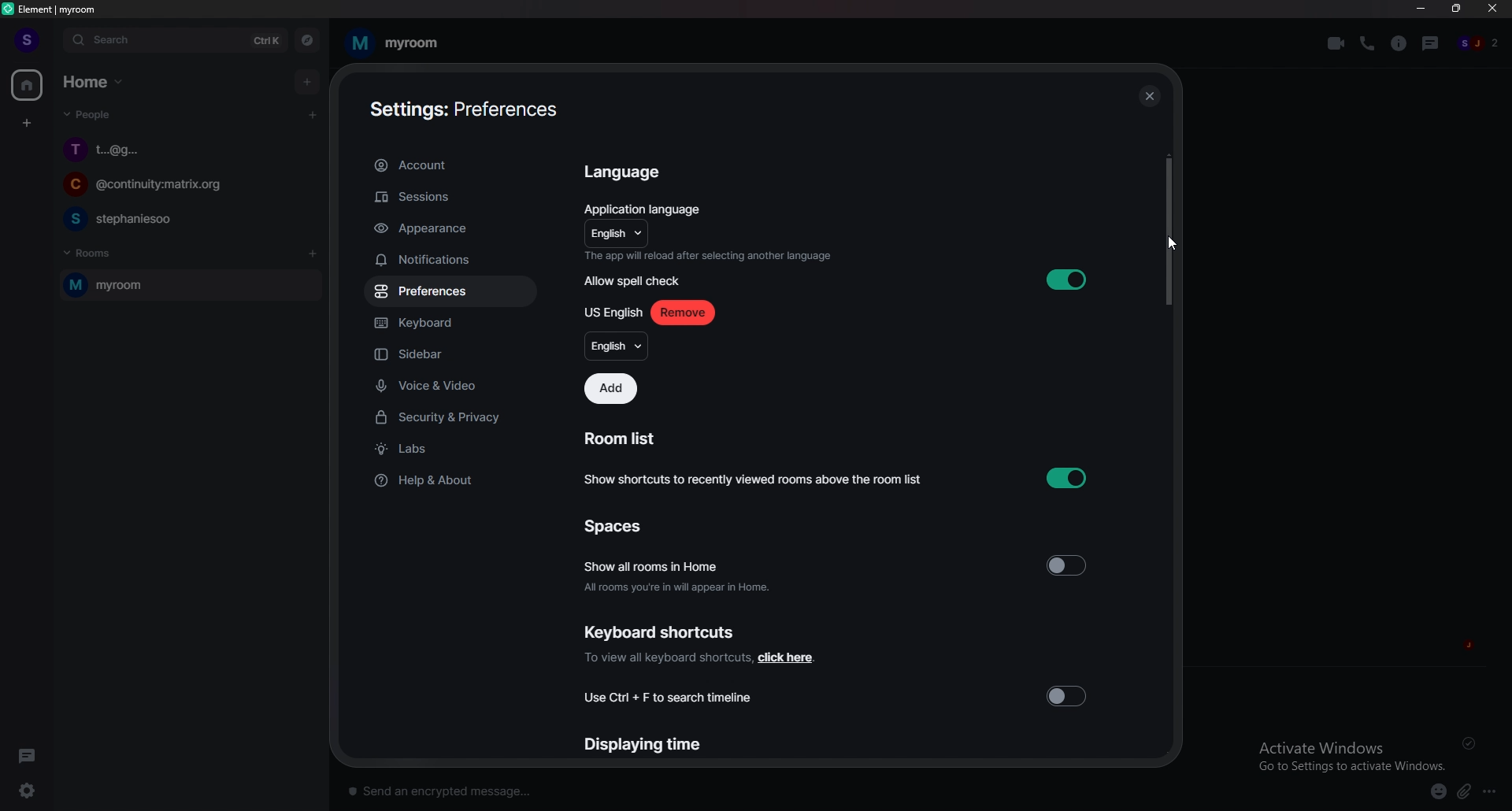 The image size is (1512, 811). Describe the element at coordinates (610, 389) in the screenshot. I see `add` at that location.